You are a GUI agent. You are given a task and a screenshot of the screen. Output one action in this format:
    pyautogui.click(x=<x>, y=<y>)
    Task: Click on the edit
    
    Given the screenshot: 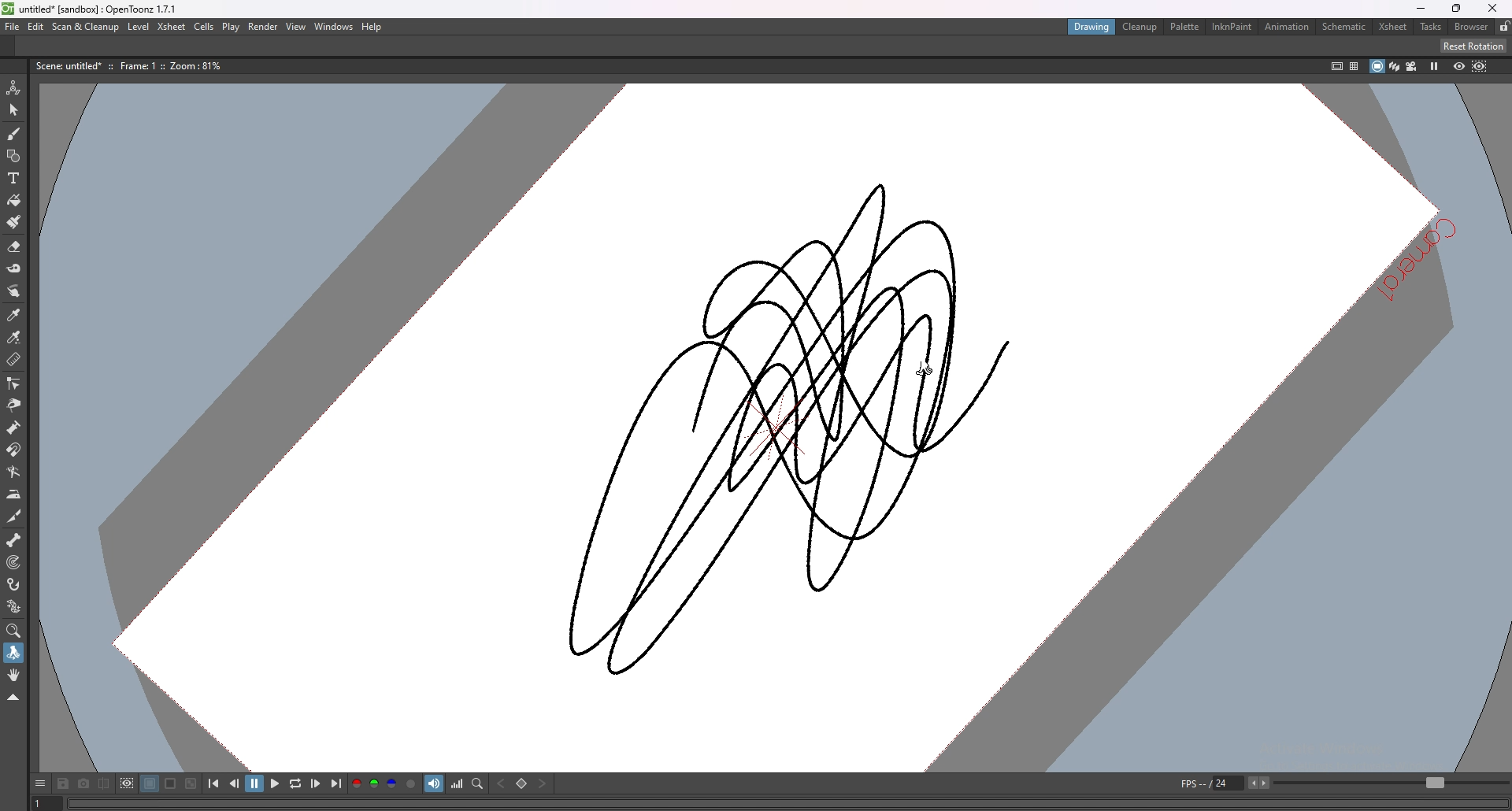 What is the action you would take?
    pyautogui.click(x=35, y=28)
    